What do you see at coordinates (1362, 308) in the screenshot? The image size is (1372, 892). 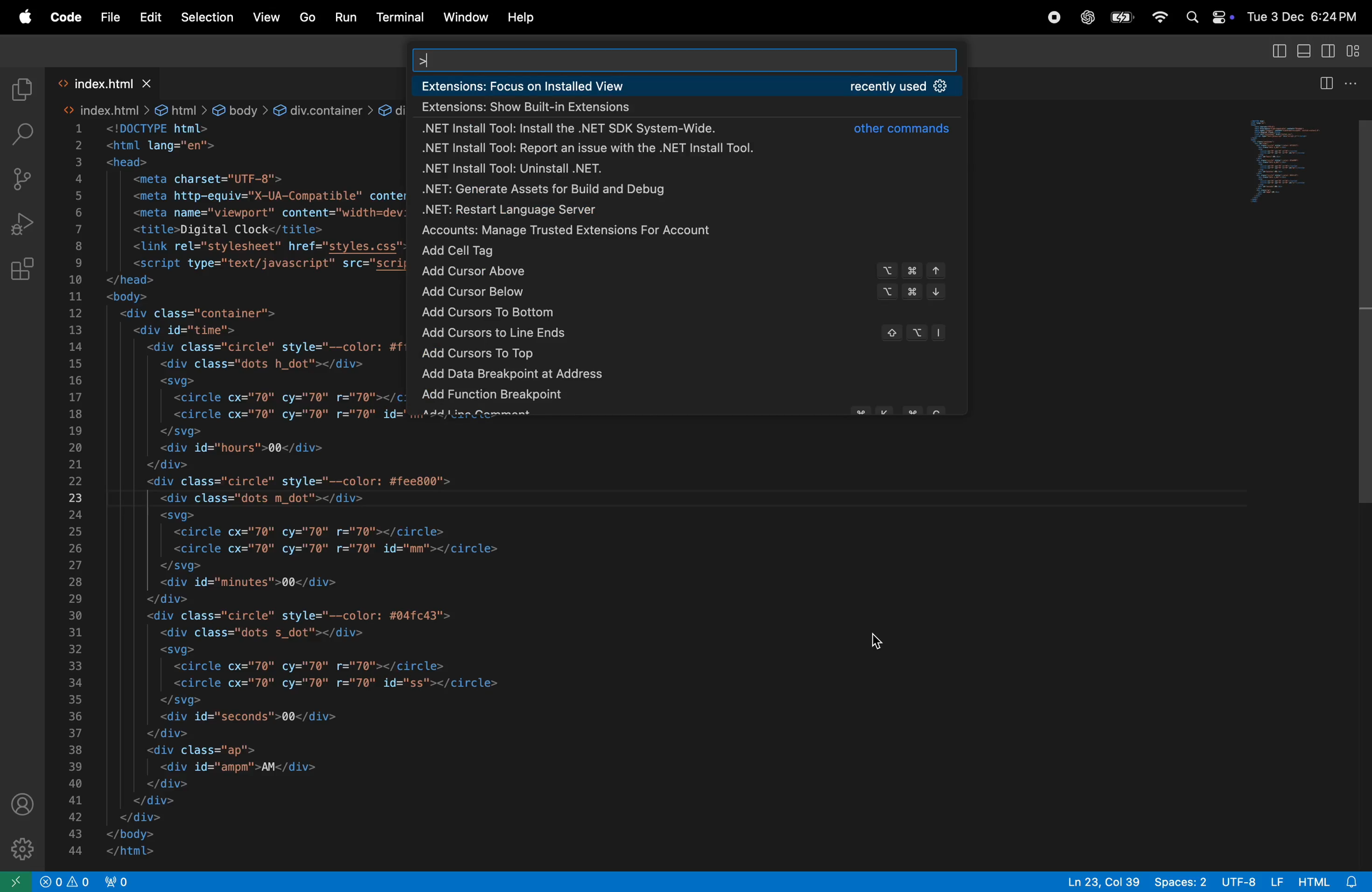 I see `vertical scroll bar` at bounding box center [1362, 308].